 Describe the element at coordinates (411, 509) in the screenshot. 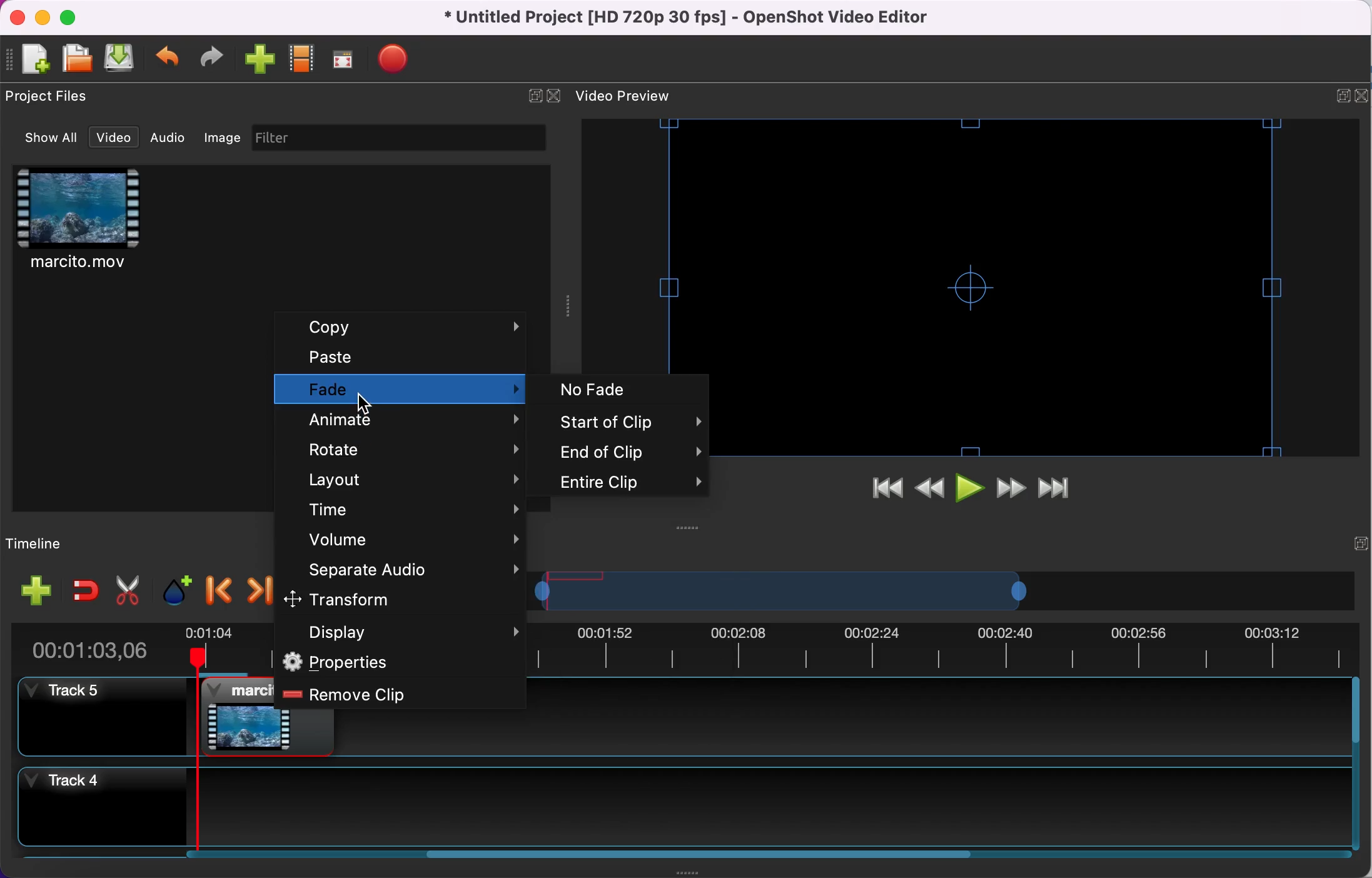

I see `time` at that location.